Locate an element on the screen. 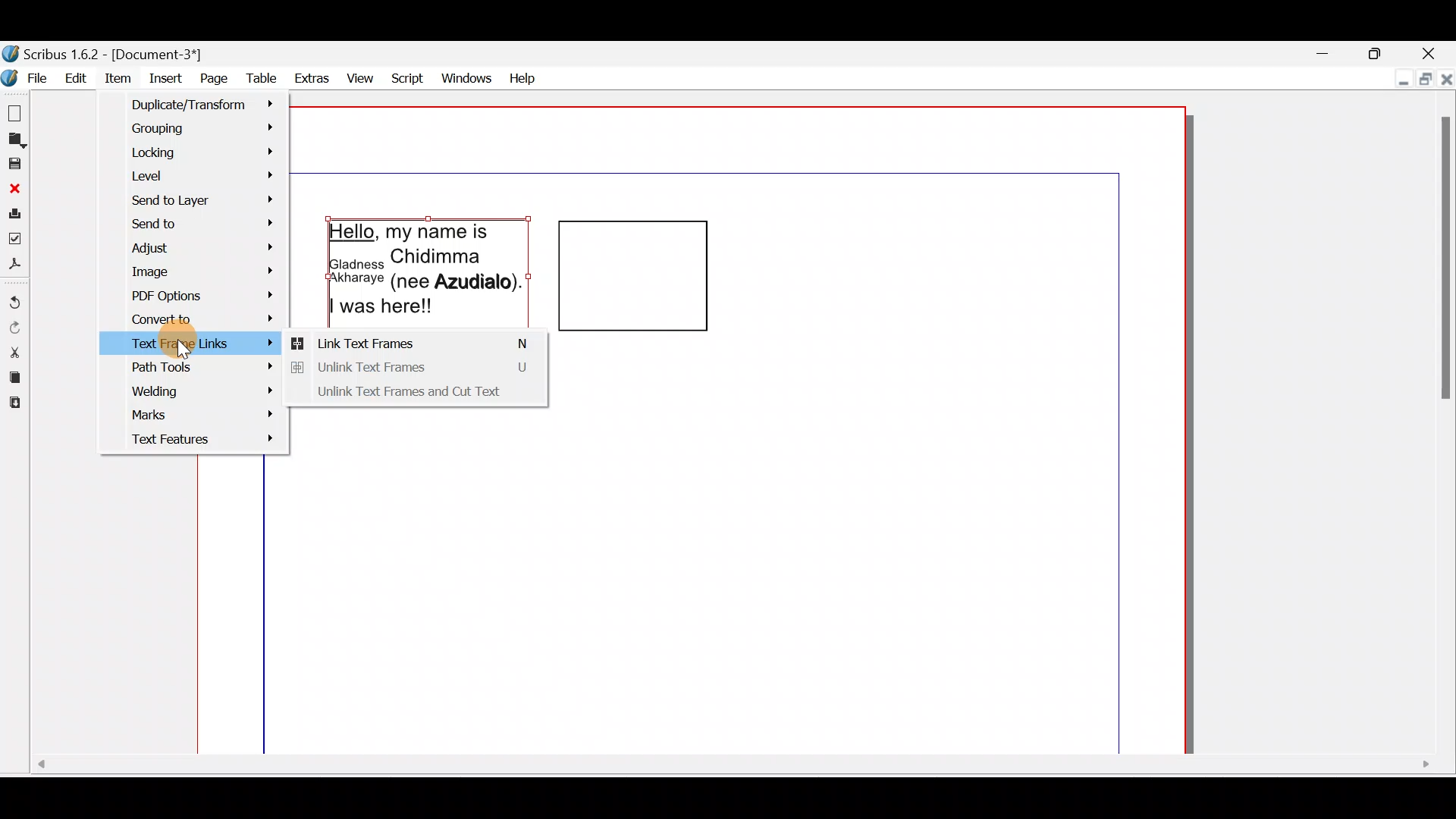  Send to layer is located at coordinates (206, 201).